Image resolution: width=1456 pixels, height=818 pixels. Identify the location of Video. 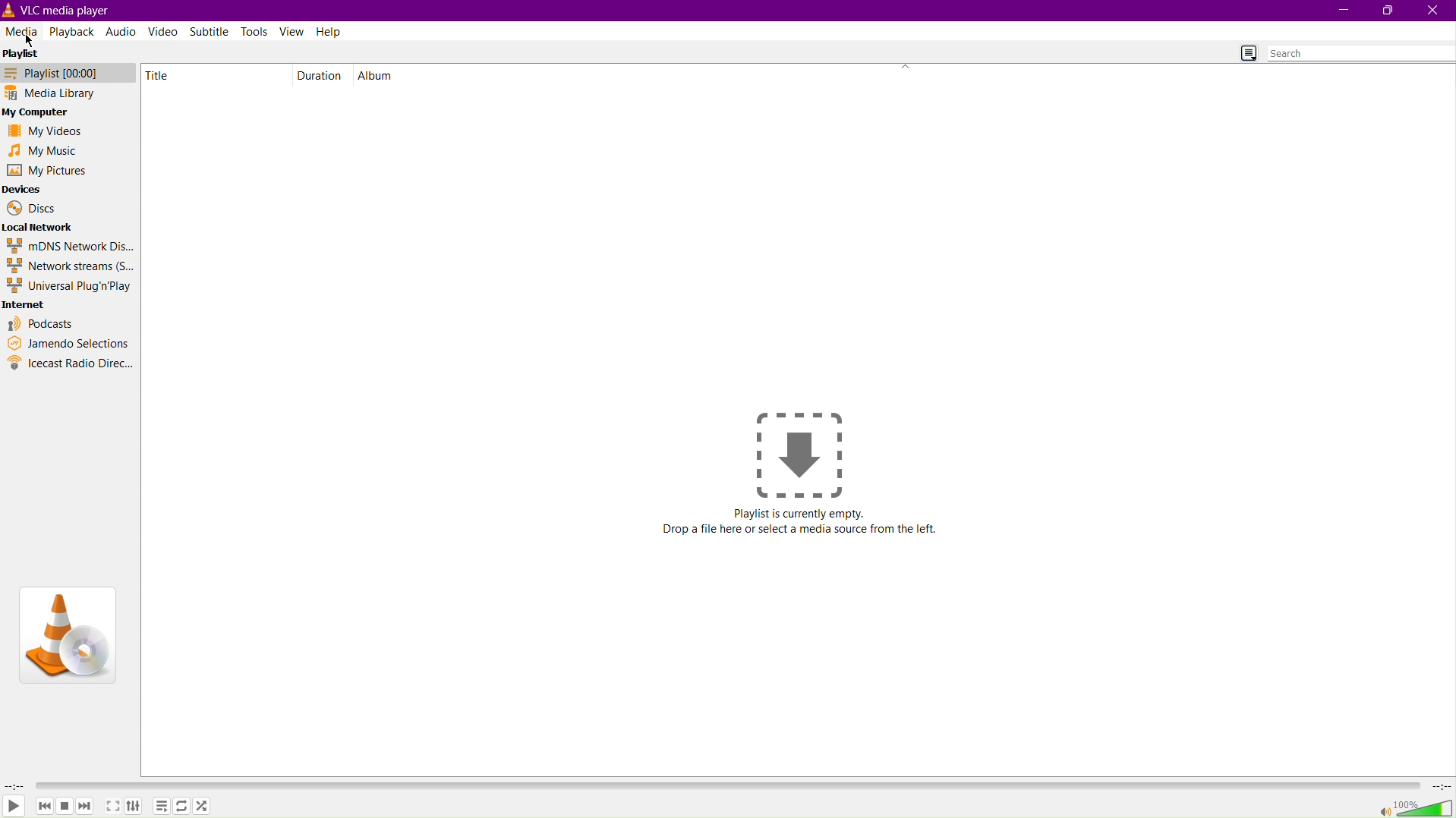
(164, 30).